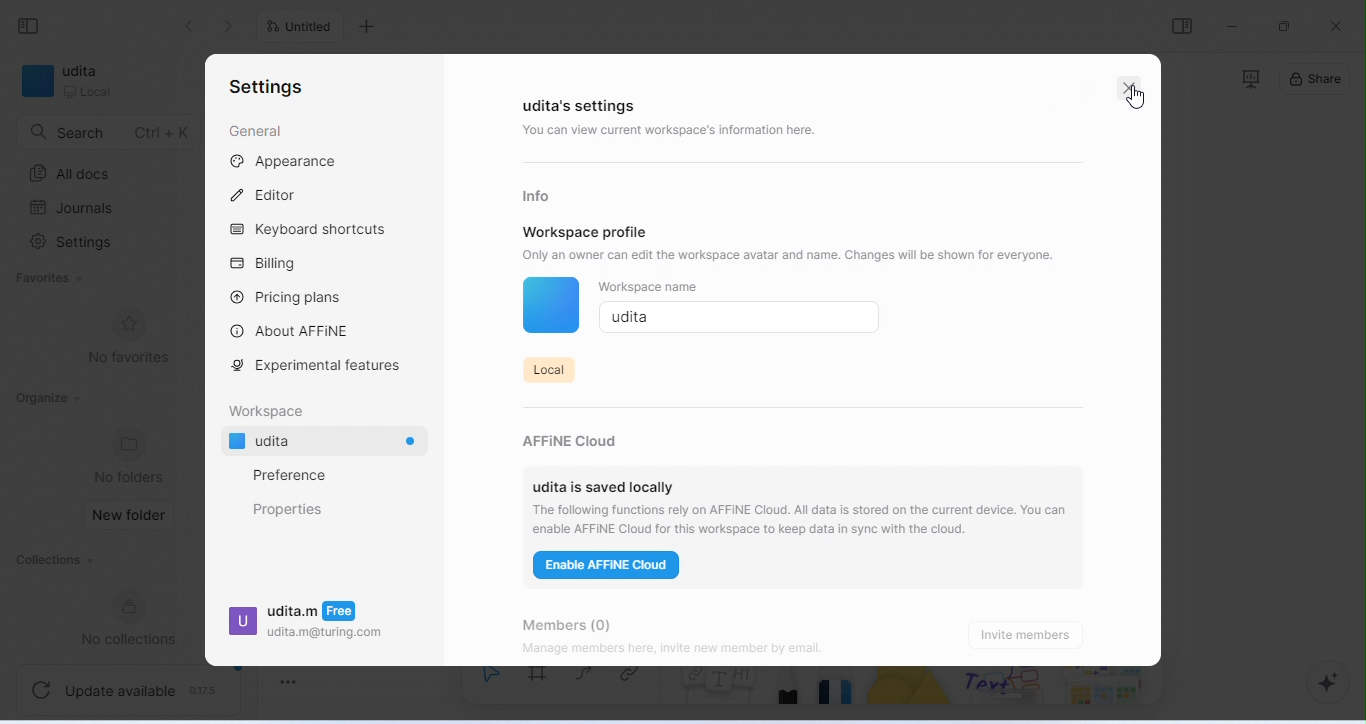 Image resolution: width=1366 pixels, height=724 pixels. What do you see at coordinates (919, 316) in the screenshot?
I see `save` at bounding box center [919, 316].